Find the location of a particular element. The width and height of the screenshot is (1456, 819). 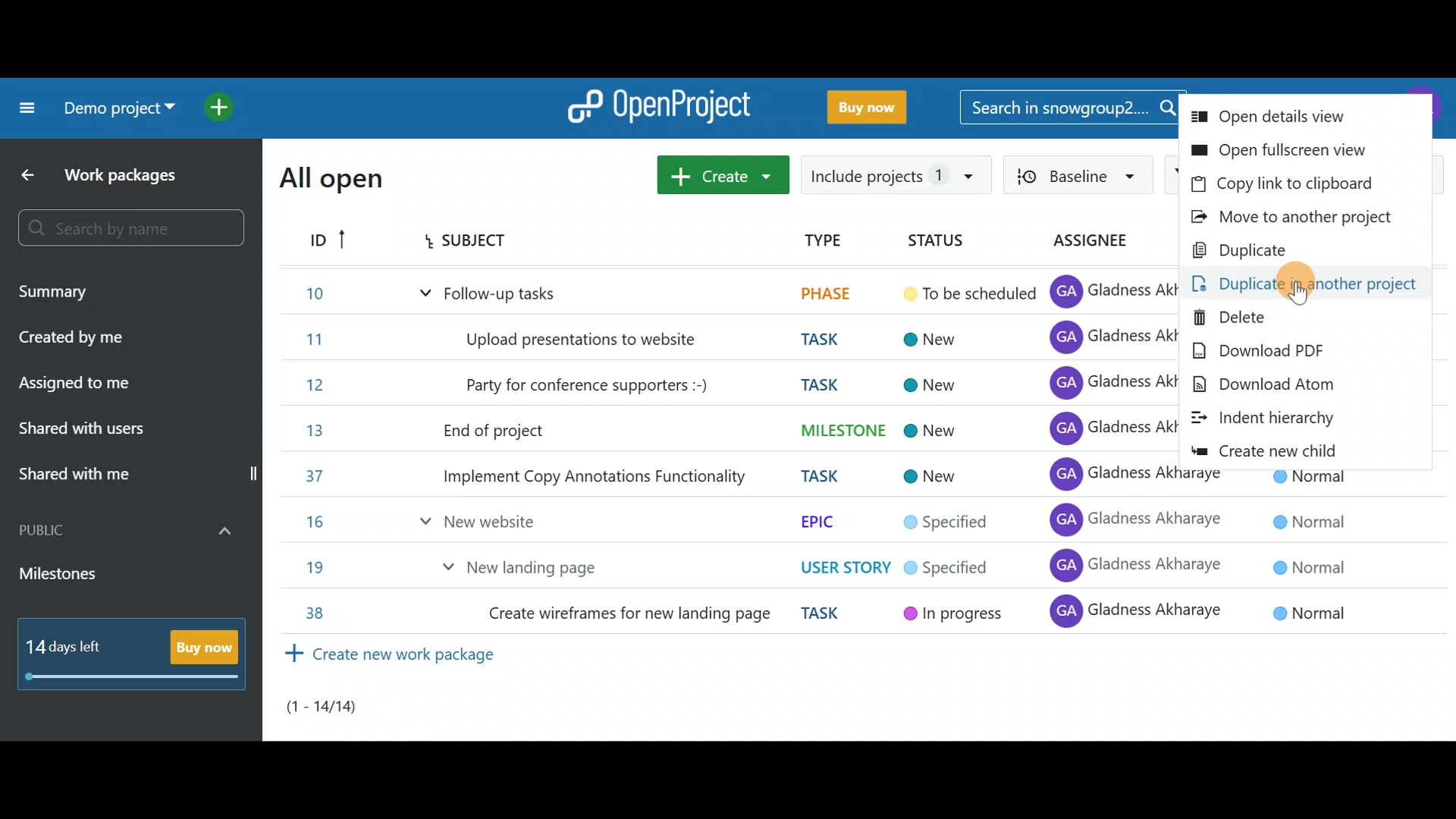

37 is located at coordinates (309, 477).